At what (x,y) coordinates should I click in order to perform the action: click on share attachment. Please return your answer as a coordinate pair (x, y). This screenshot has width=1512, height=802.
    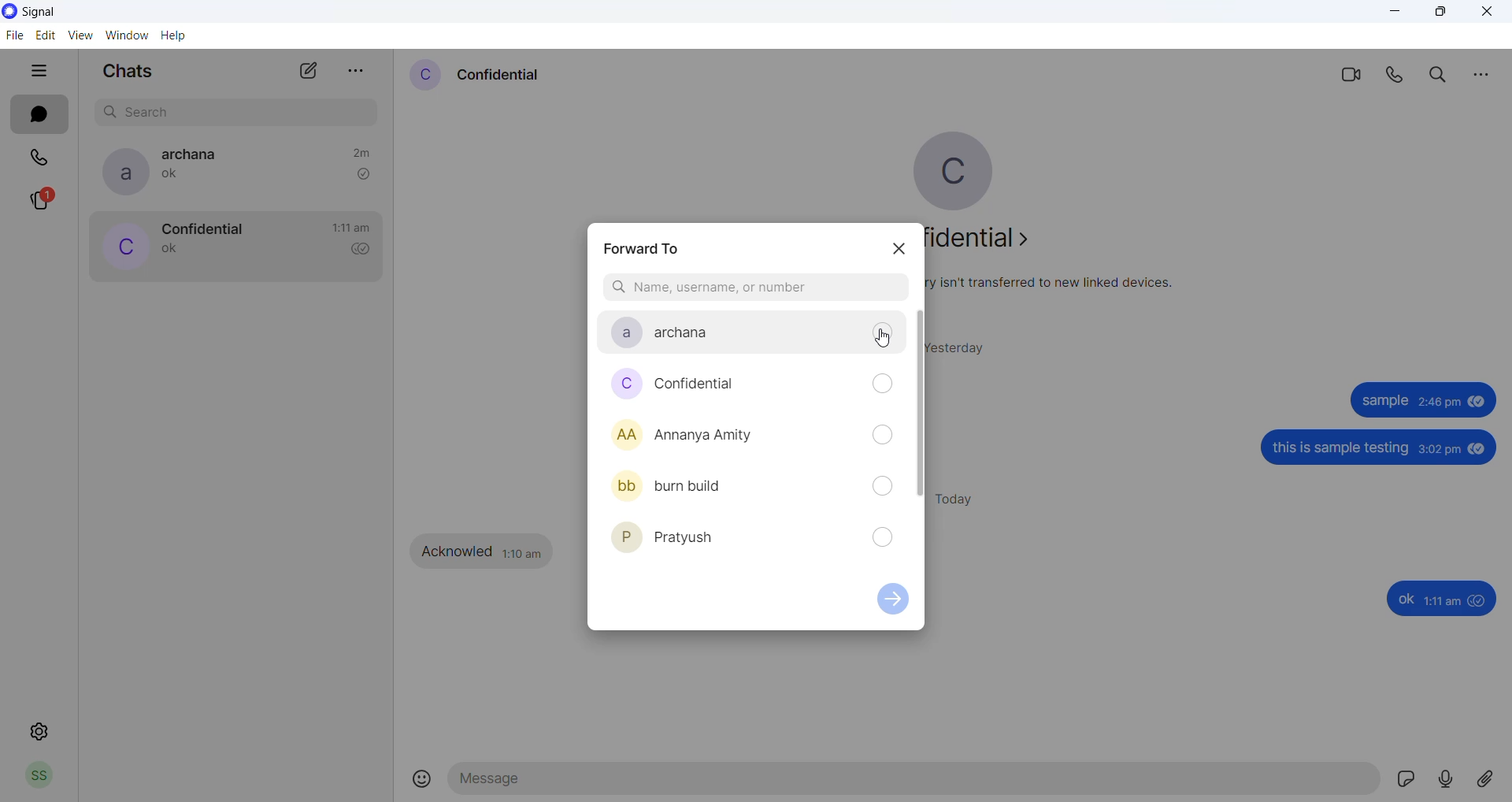
    Looking at the image, I should click on (1492, 778).